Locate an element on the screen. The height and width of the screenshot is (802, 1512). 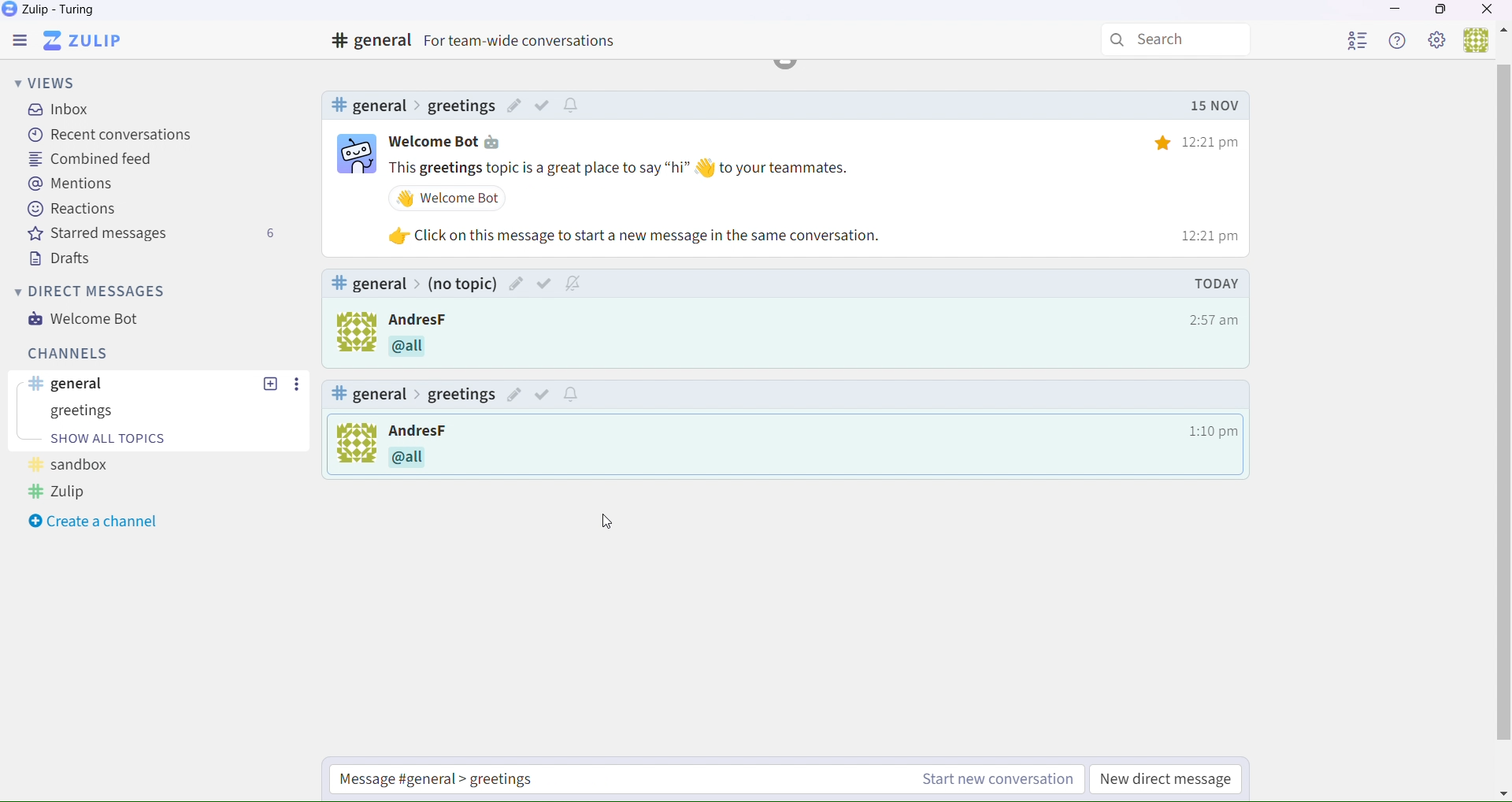
#sandbox>Experiment is located at coordinates (409, 106).